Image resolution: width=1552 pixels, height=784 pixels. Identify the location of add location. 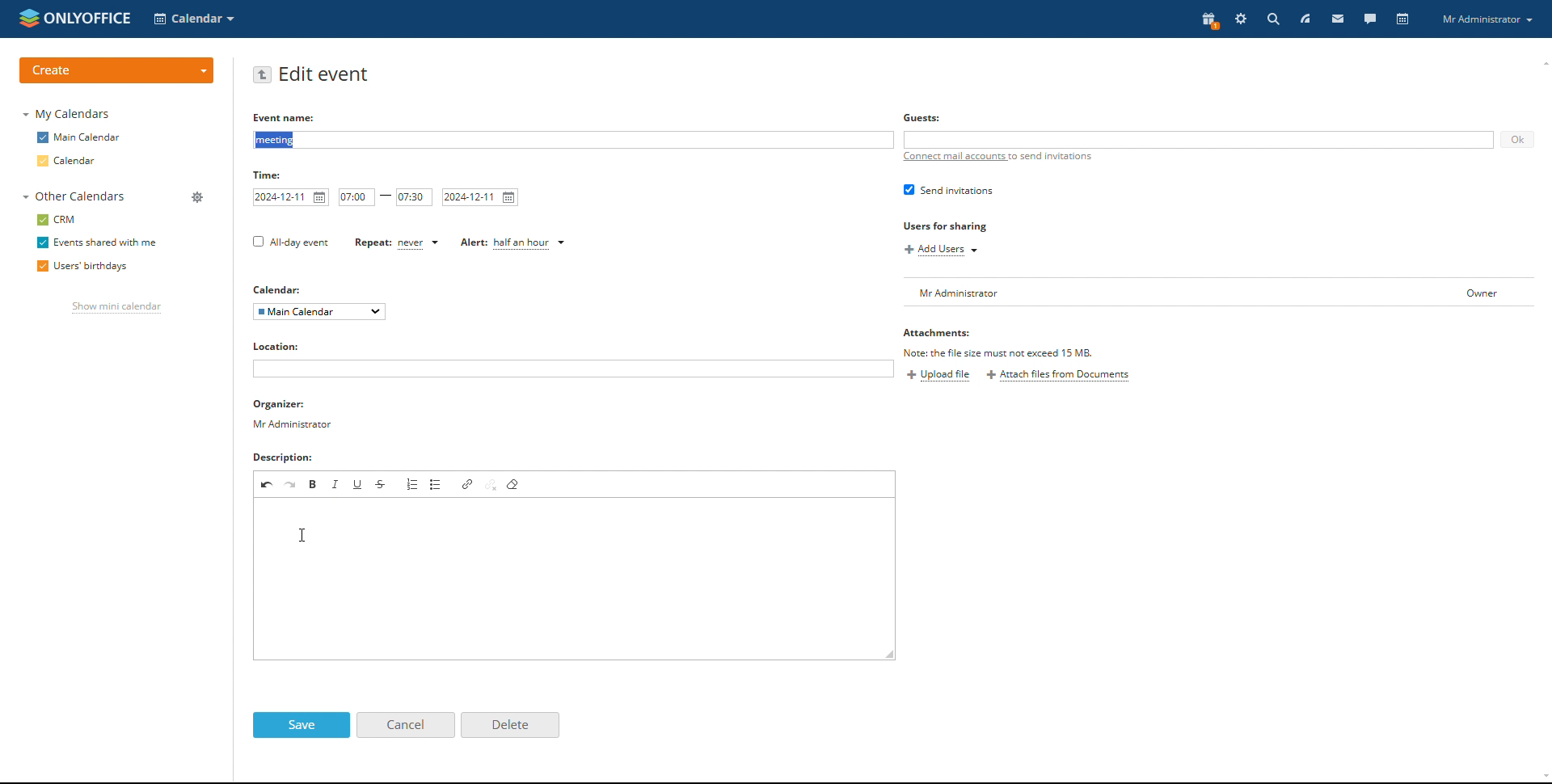
(573, 369).